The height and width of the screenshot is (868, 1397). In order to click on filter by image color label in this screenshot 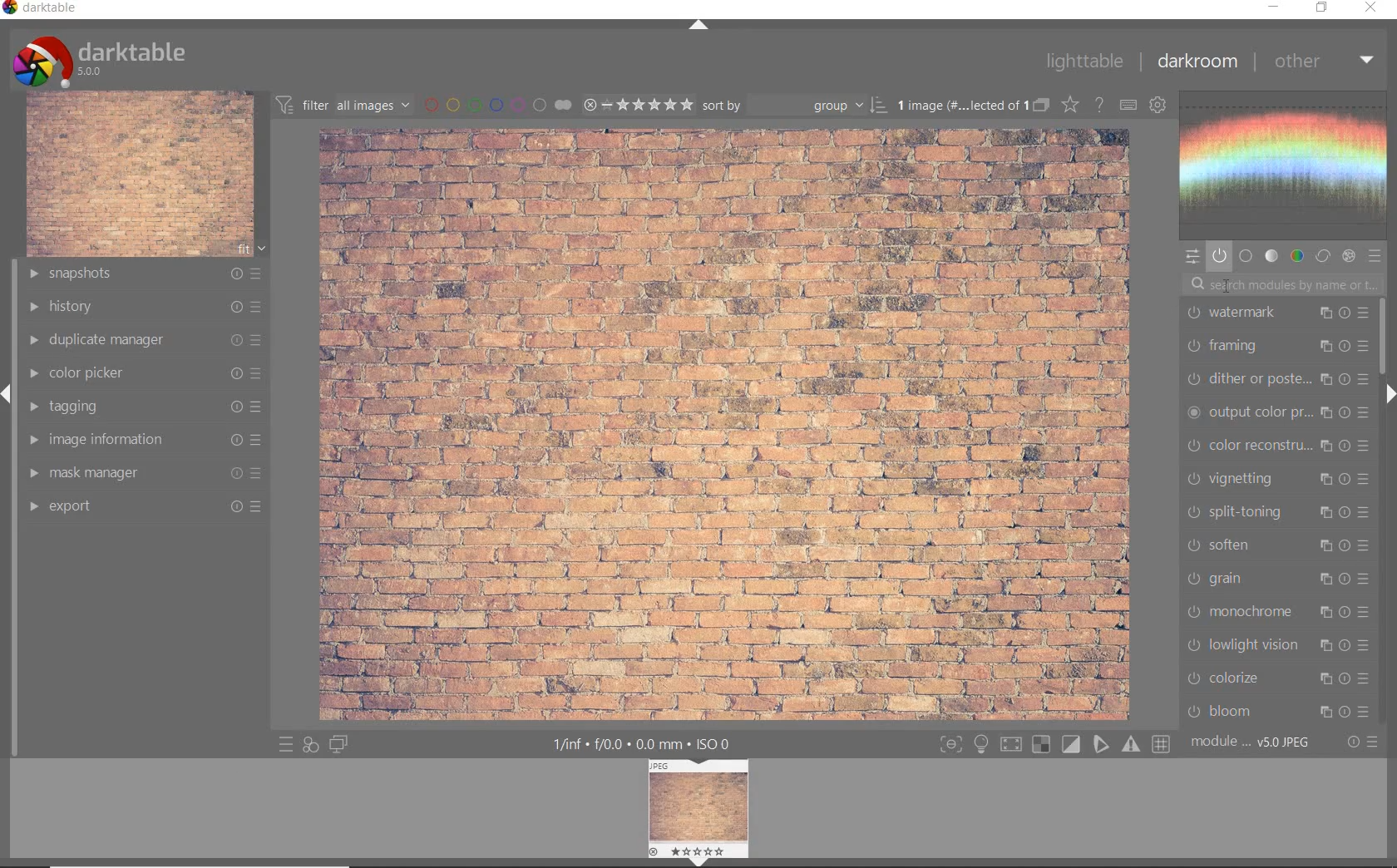, I will do `click(496, 104)`.